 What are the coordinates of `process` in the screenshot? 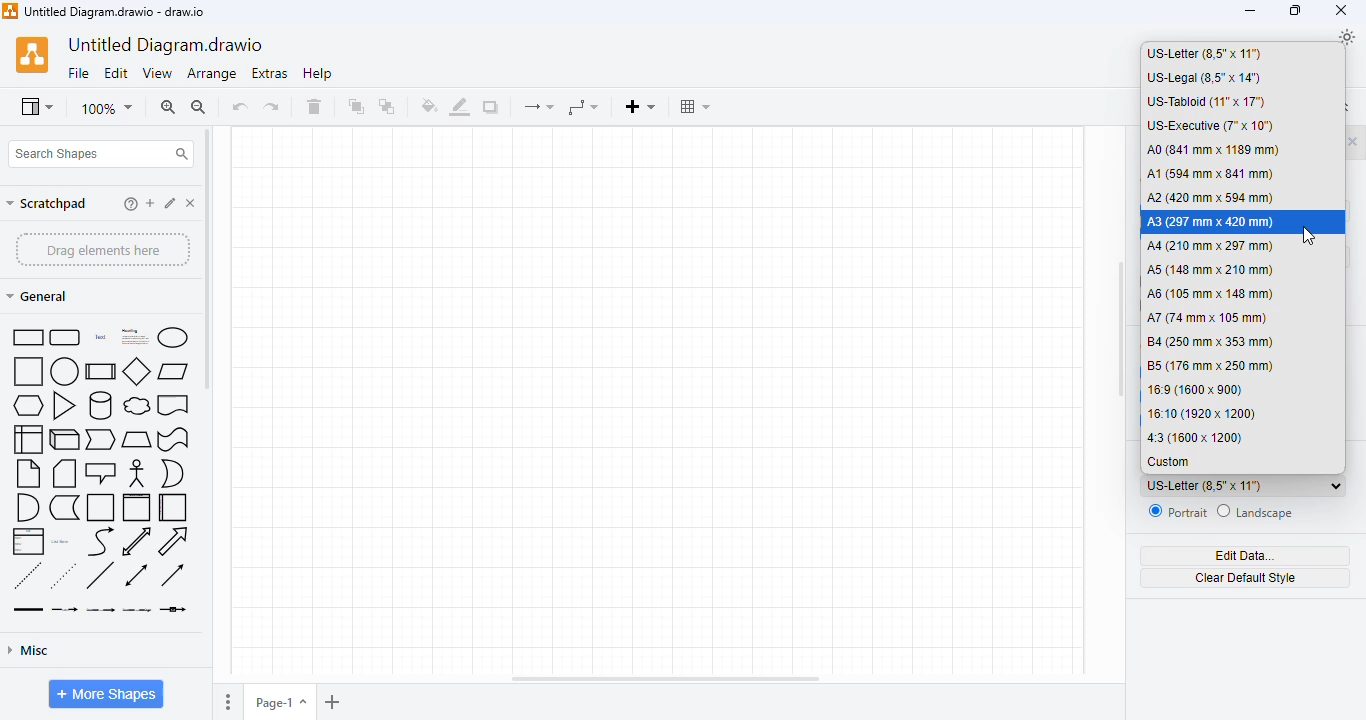 It's located at (101, 371).